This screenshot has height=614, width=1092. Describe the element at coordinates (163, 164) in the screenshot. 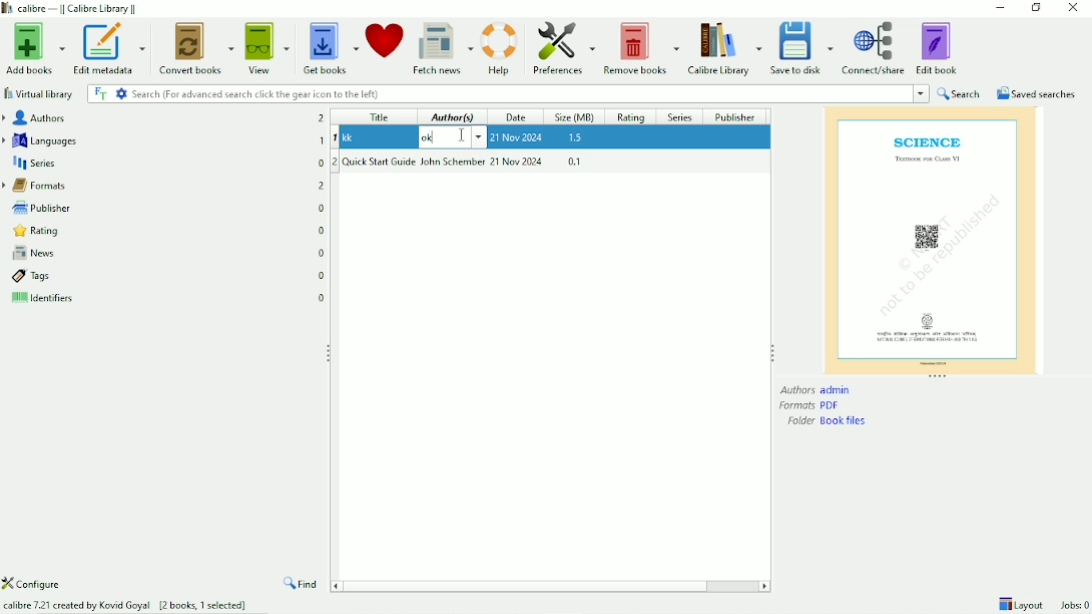

I see `Series` at that location.